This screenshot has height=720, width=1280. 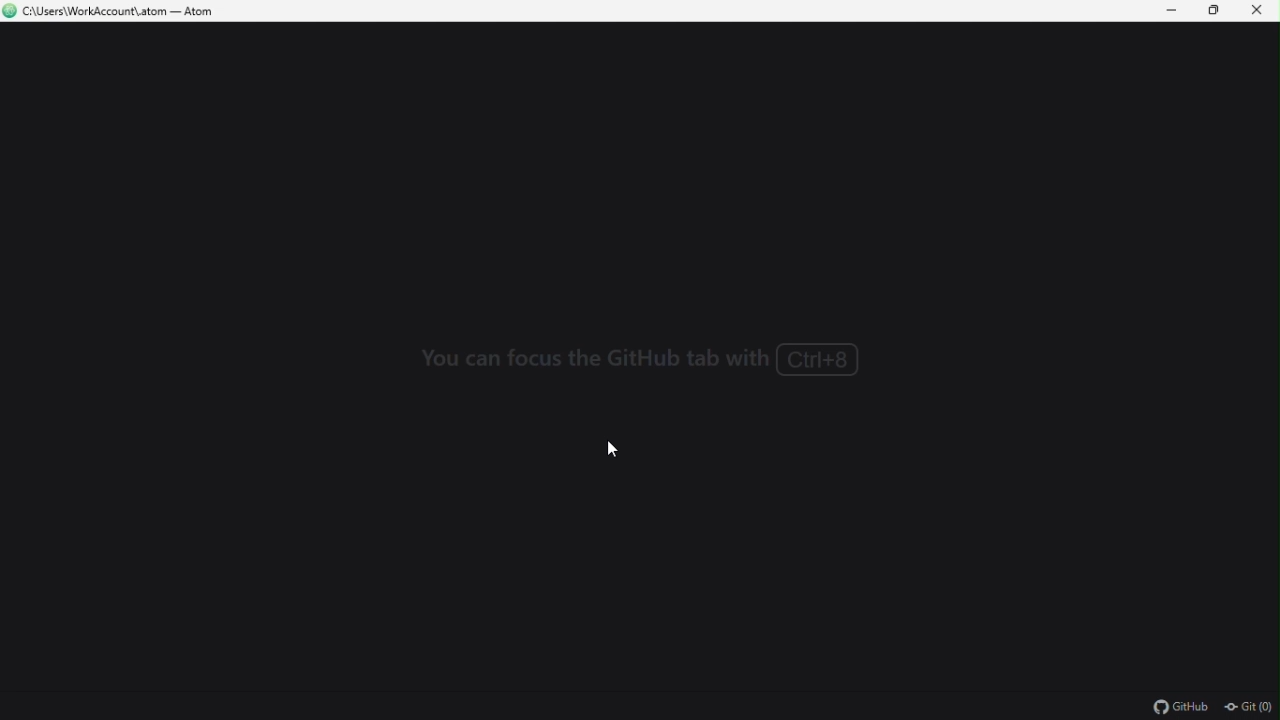 What do you see at coordinates (640, 361) in the screenshot?
I see `You can focus the GitHub tab with | Ctrl+8` at bounding box center [640, 361].